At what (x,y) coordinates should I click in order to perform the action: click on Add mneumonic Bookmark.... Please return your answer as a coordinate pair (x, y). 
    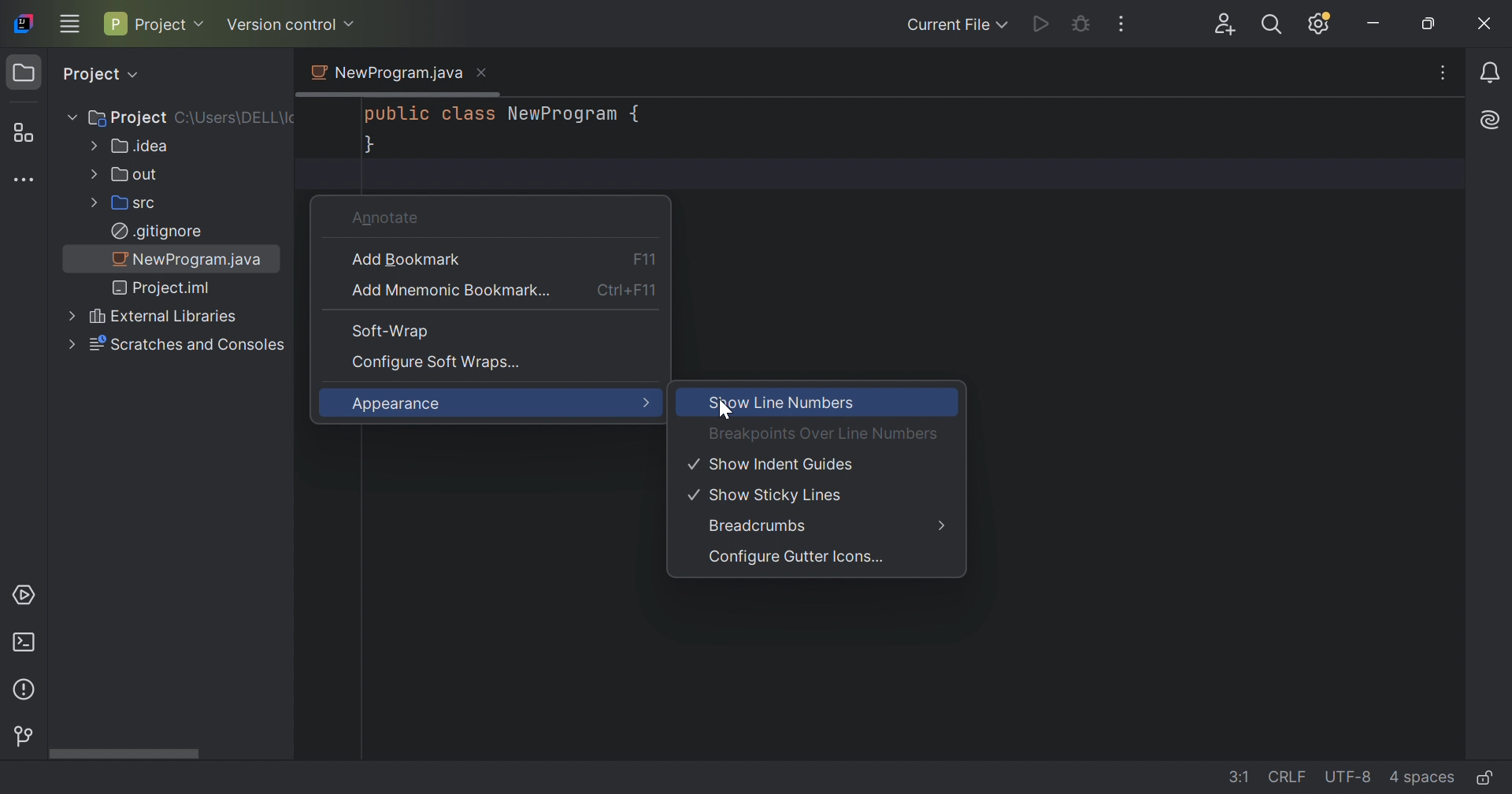
    Looking at the image, I should click on (450, 291).